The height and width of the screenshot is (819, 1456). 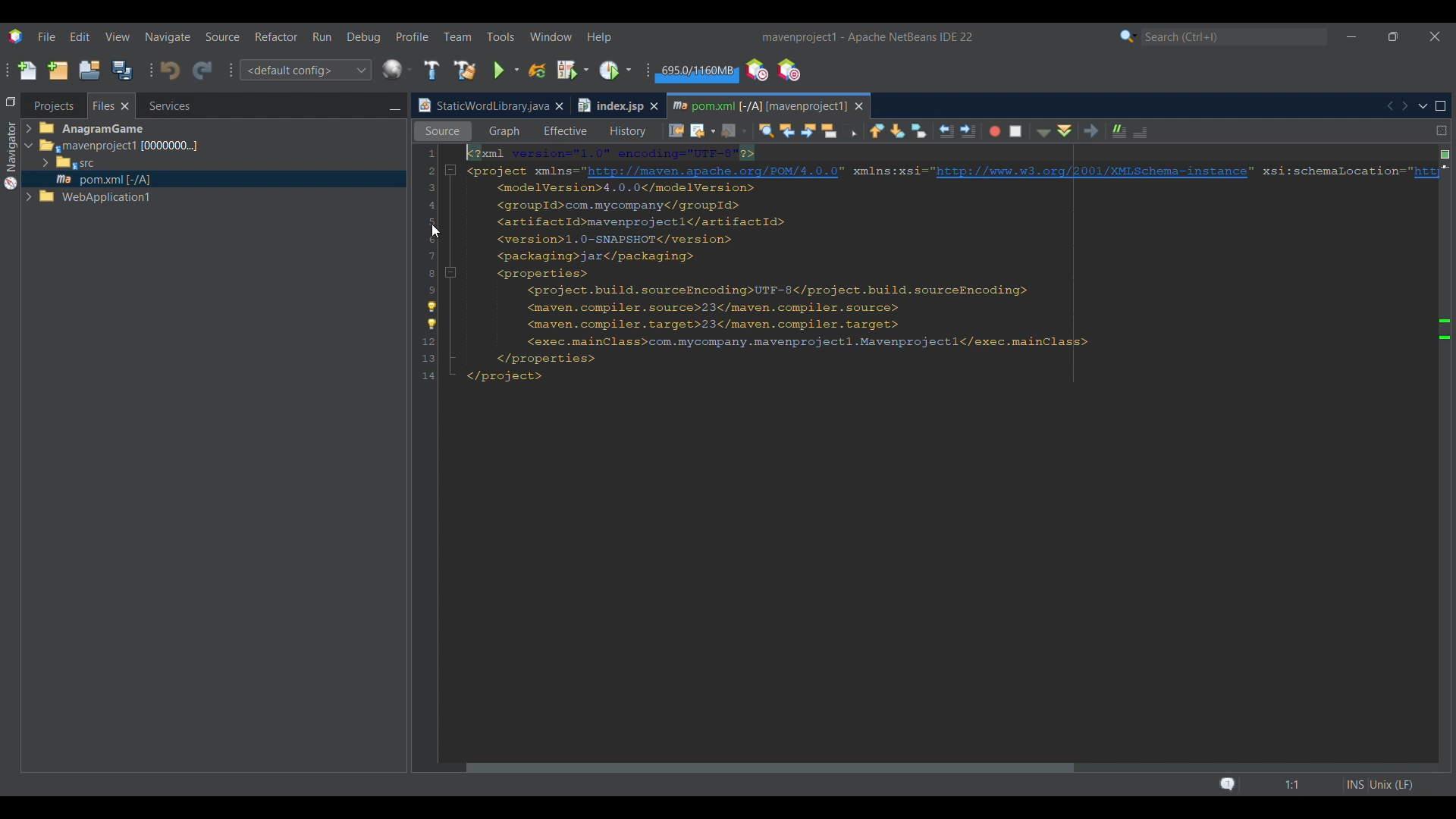 I want to click on Find selection, so click(x=762, y=130).